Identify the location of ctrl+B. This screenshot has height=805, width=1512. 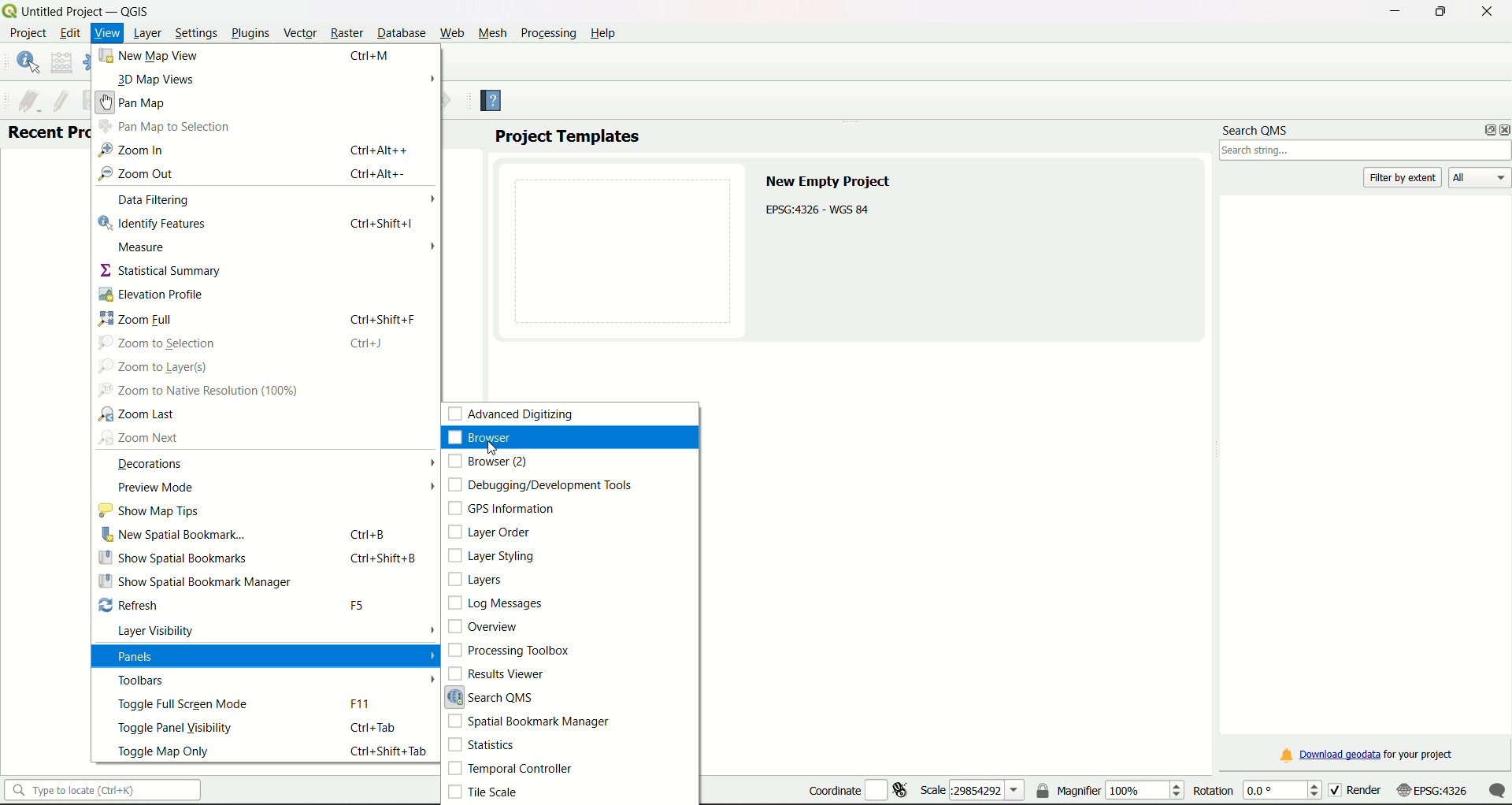
(369, 534).